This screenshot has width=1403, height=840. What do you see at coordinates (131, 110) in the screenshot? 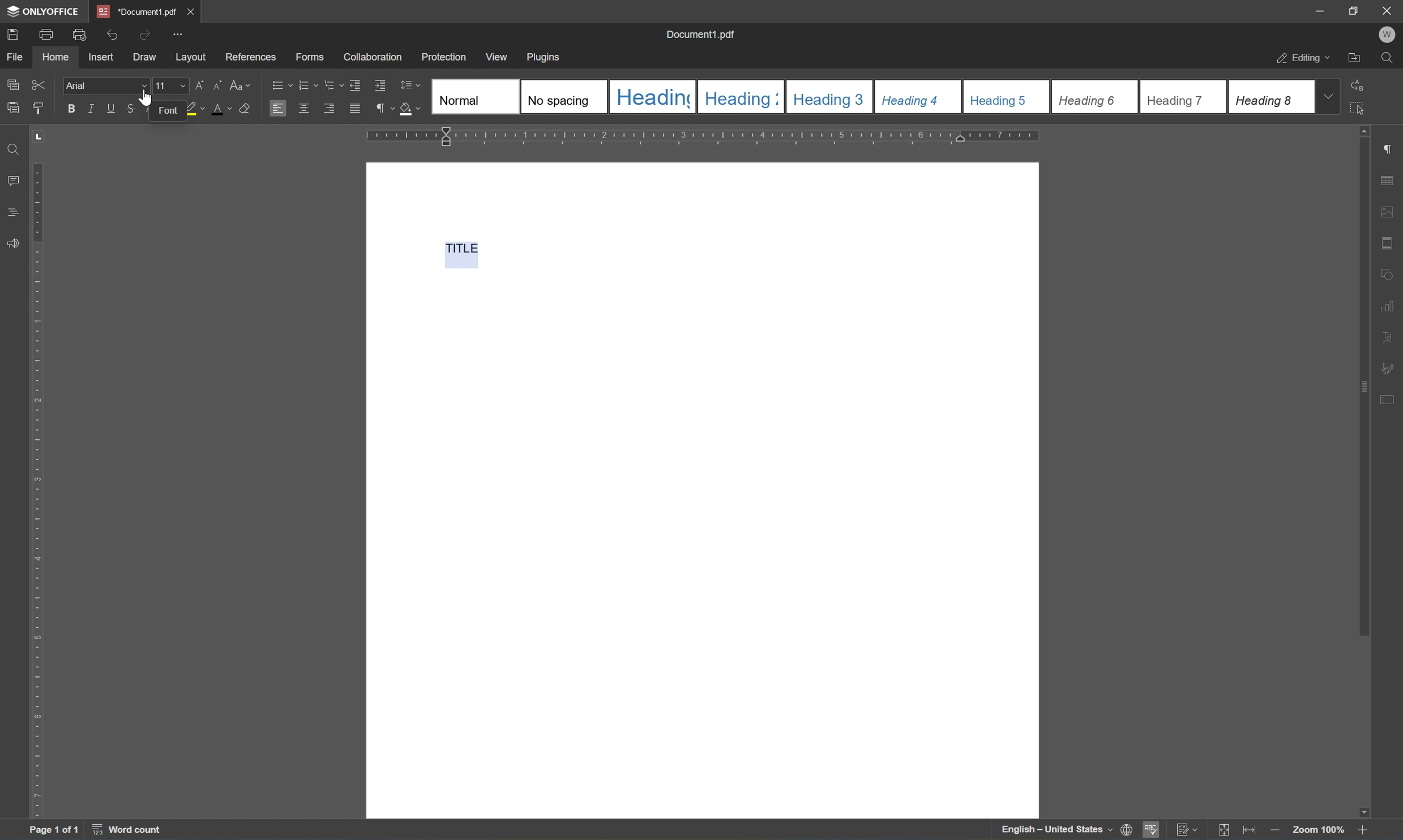
I see `strikethrough` at bounding box center [131, 110].